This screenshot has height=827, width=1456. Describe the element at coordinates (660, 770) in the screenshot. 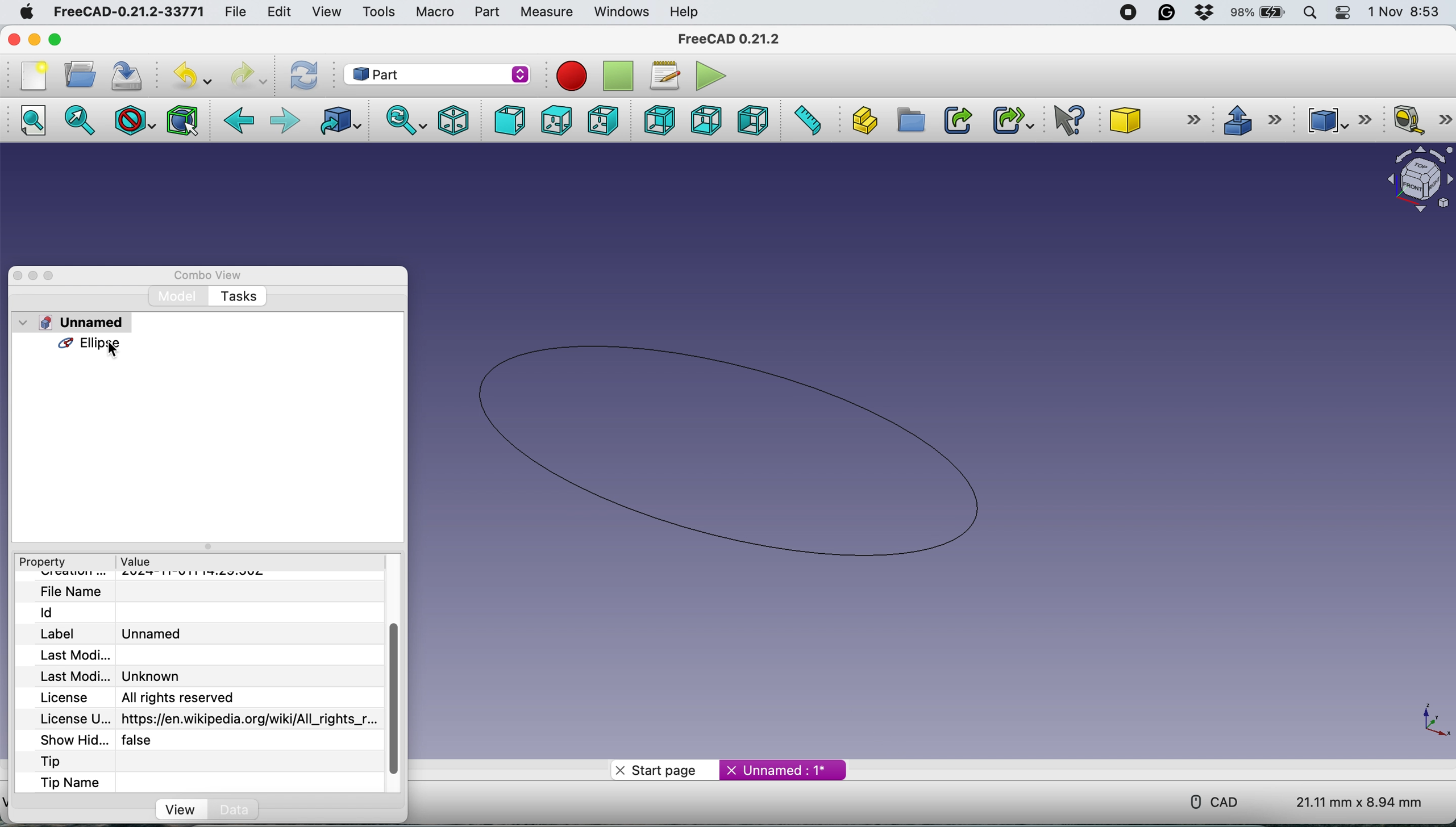

I see `start page` at that location.